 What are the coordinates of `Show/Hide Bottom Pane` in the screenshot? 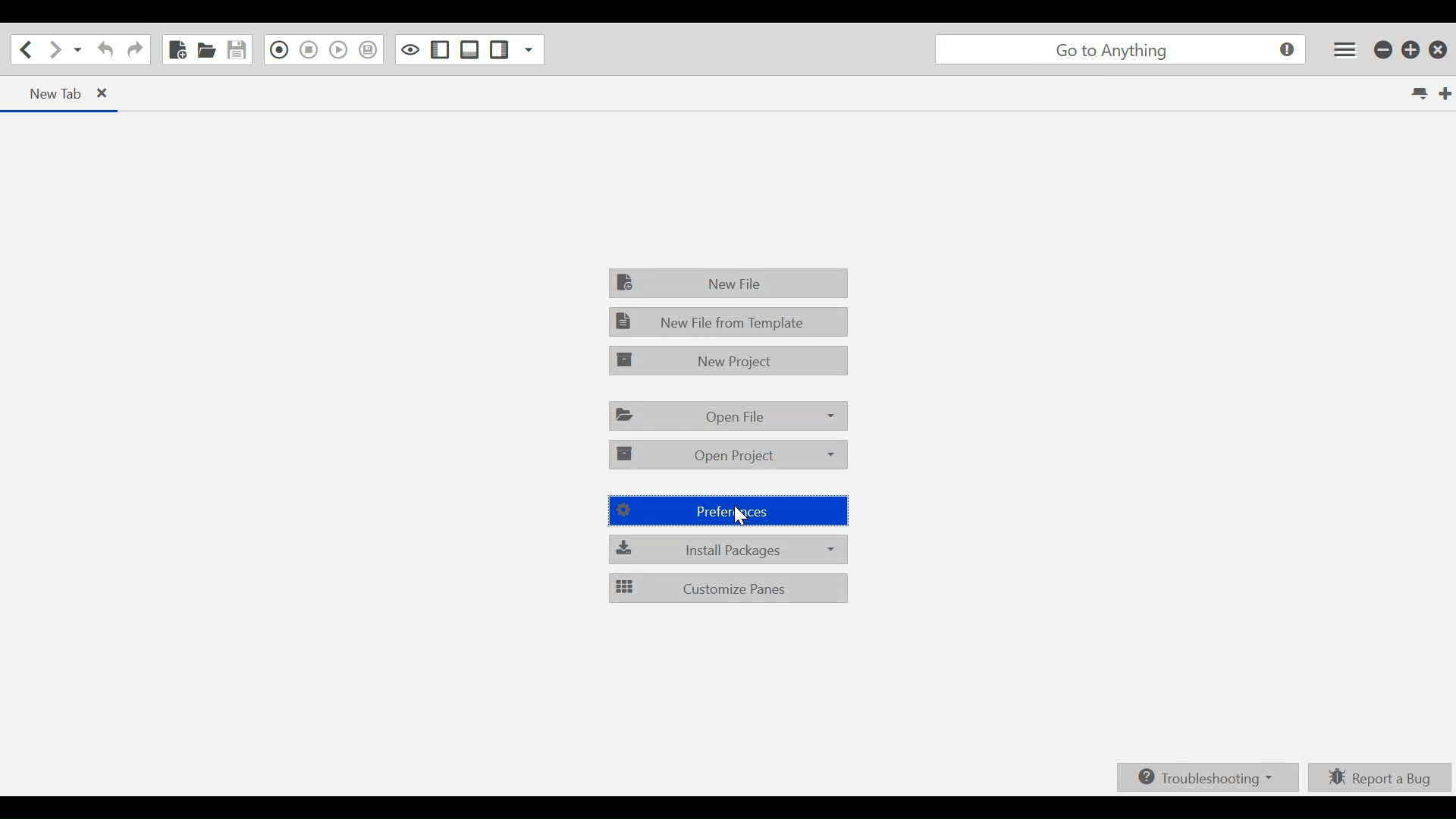 It's located at (469, 50).